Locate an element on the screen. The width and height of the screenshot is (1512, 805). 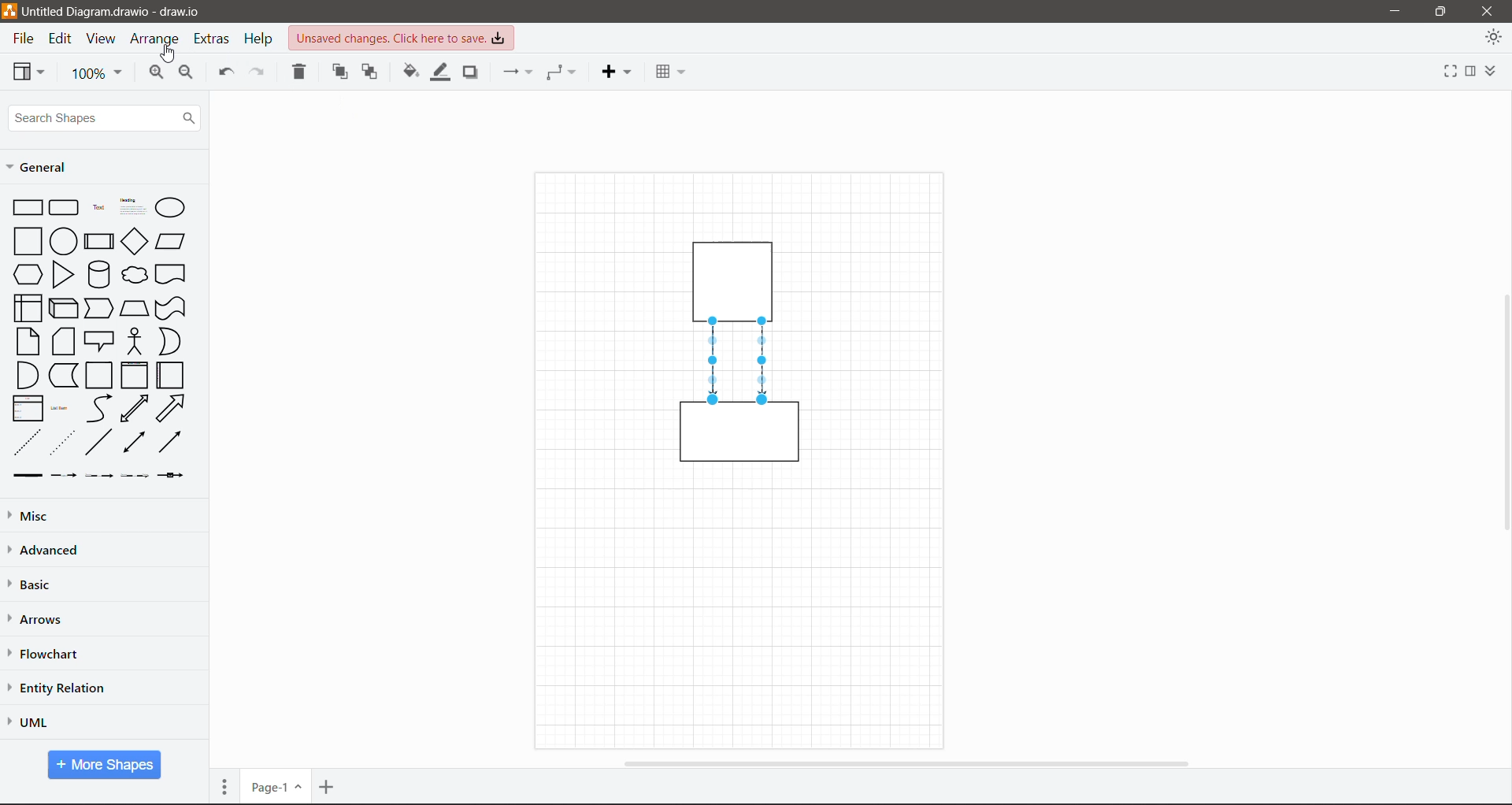
Appearance is located at coordinates (1493, 39).